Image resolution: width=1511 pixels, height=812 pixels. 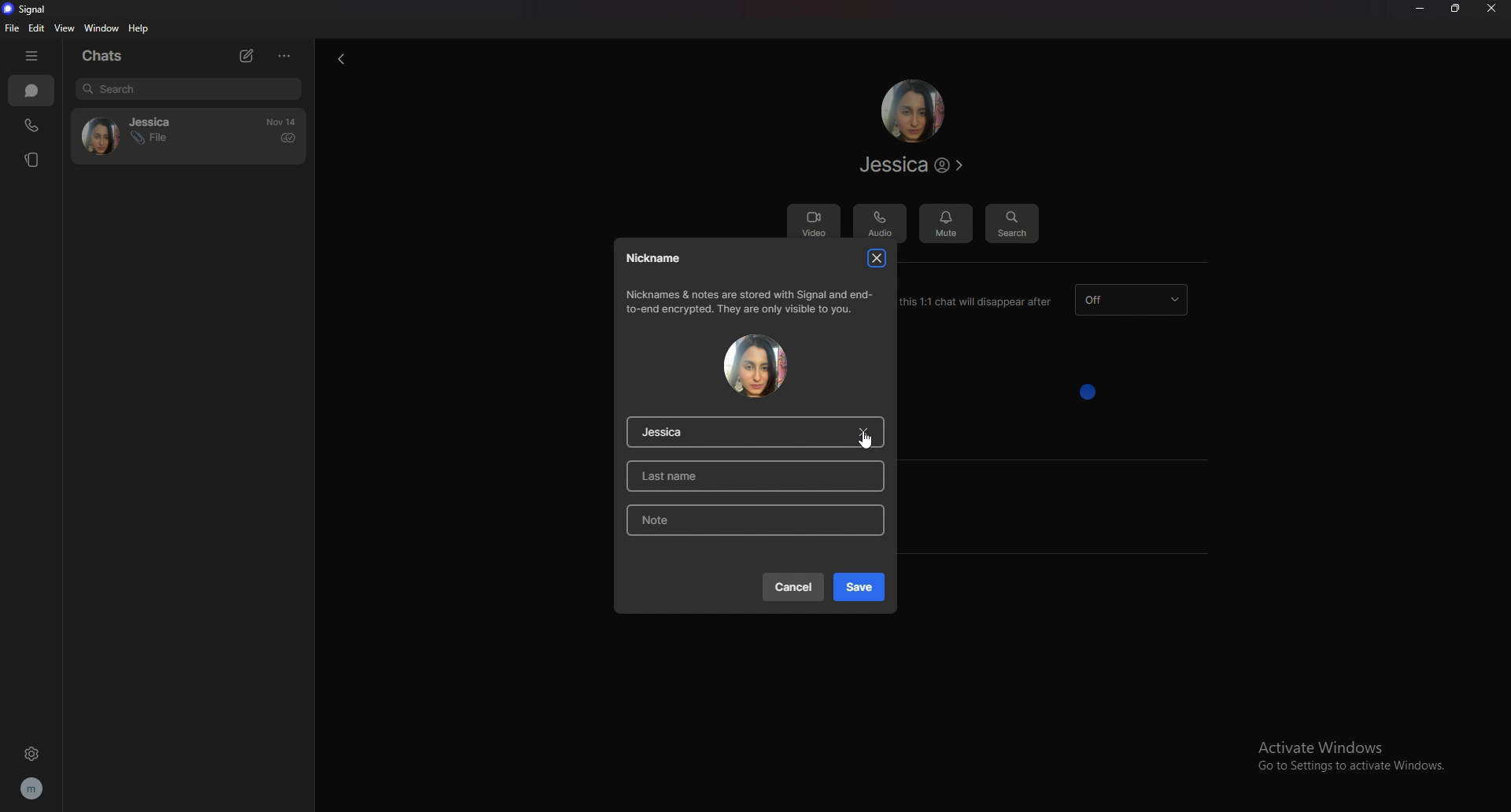 What do you see at coordinates (912, 110) in the screenshot?
I see `contact photo` at bounding box center [912, 110].